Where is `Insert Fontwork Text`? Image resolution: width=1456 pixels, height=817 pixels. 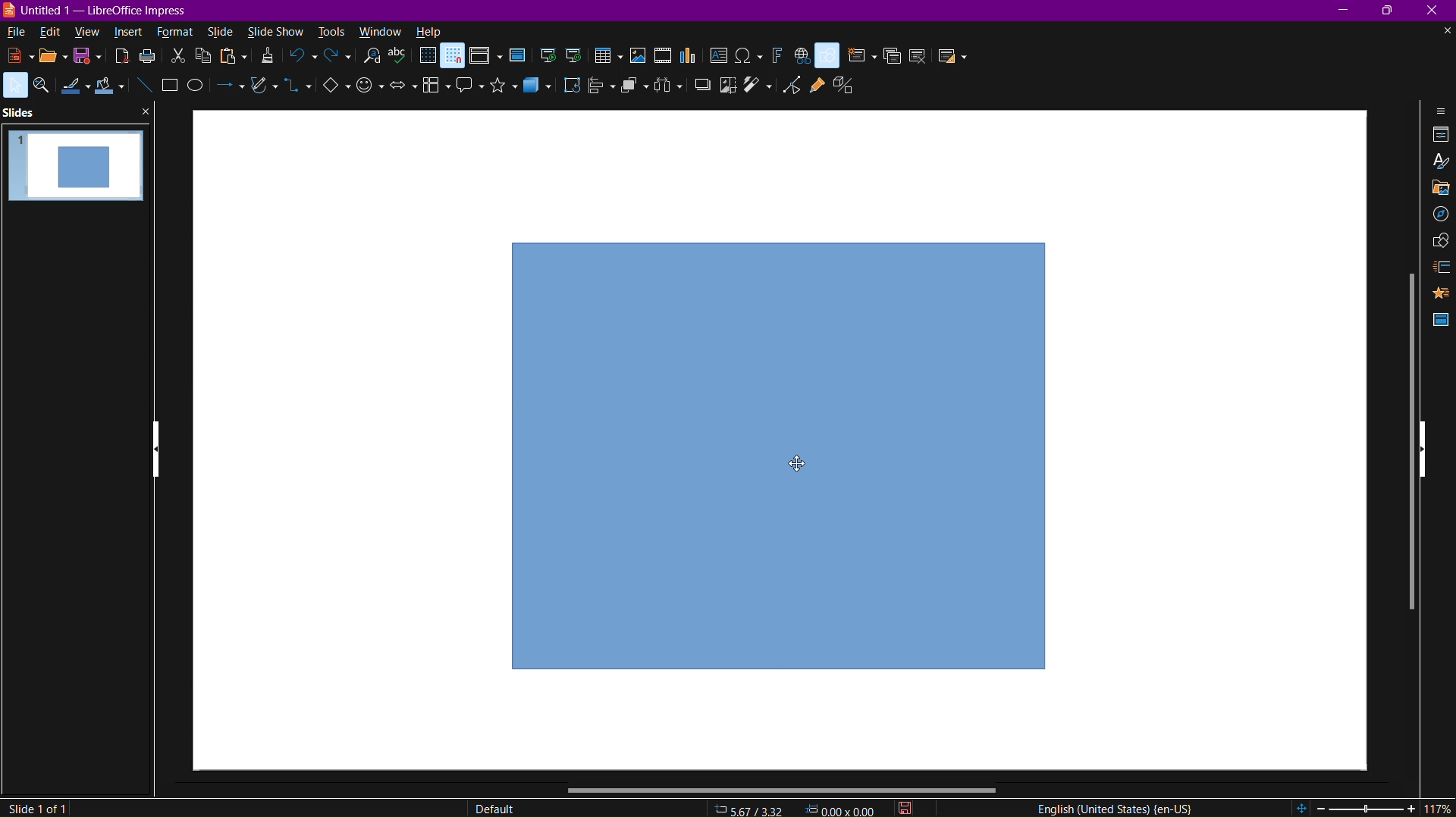 Insert Fontwork Text is located at coordinates (775, 55).